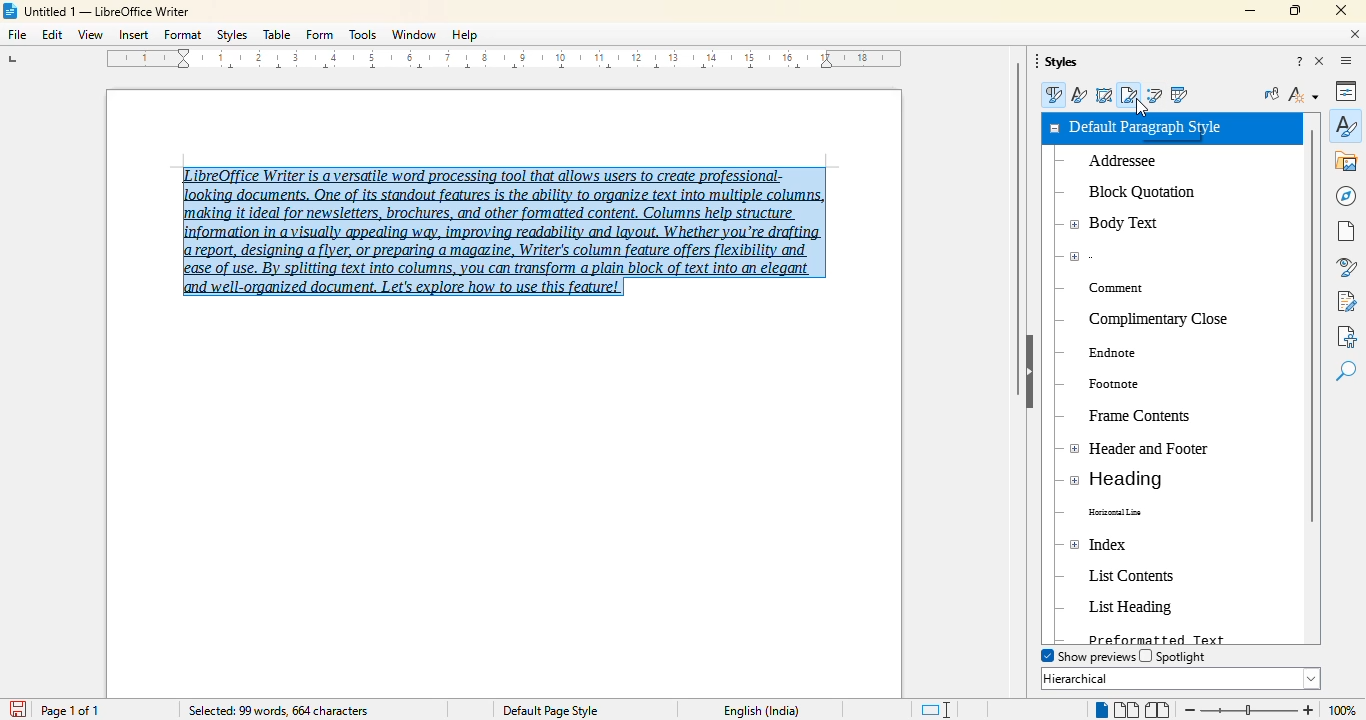  What do you see at coordinates (133, 35) in the screenshot?
I see `insert` at bounding box center [133, 35].